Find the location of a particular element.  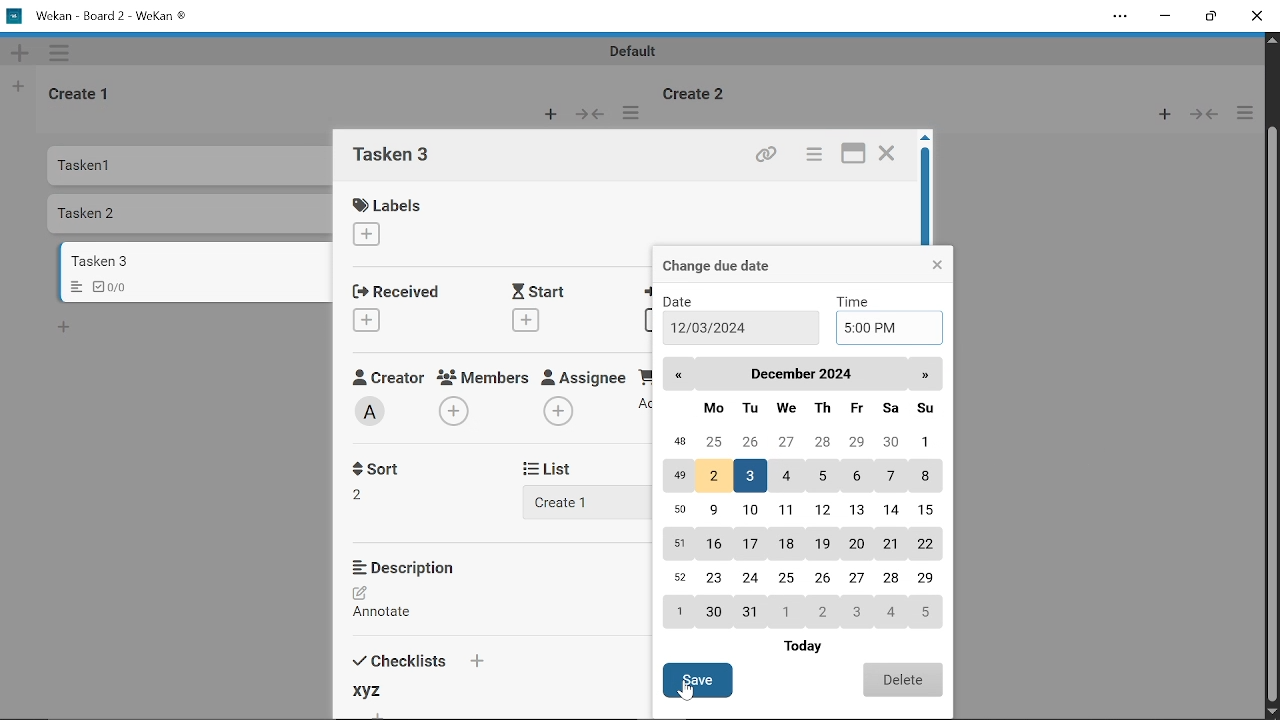

Add start date is located at coordinates (524, 319).